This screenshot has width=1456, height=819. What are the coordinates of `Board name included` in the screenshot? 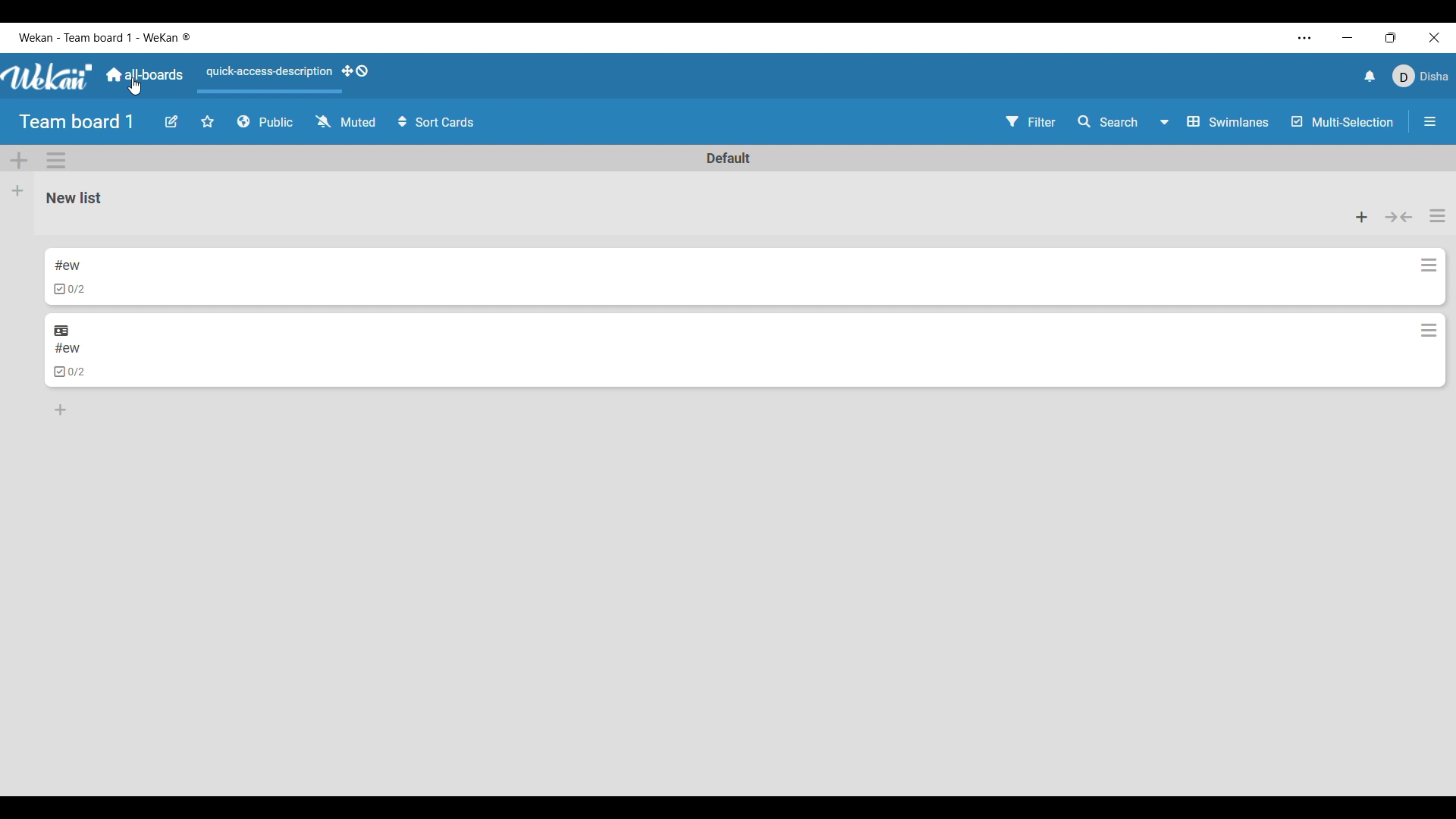 It's located at (111, 38).